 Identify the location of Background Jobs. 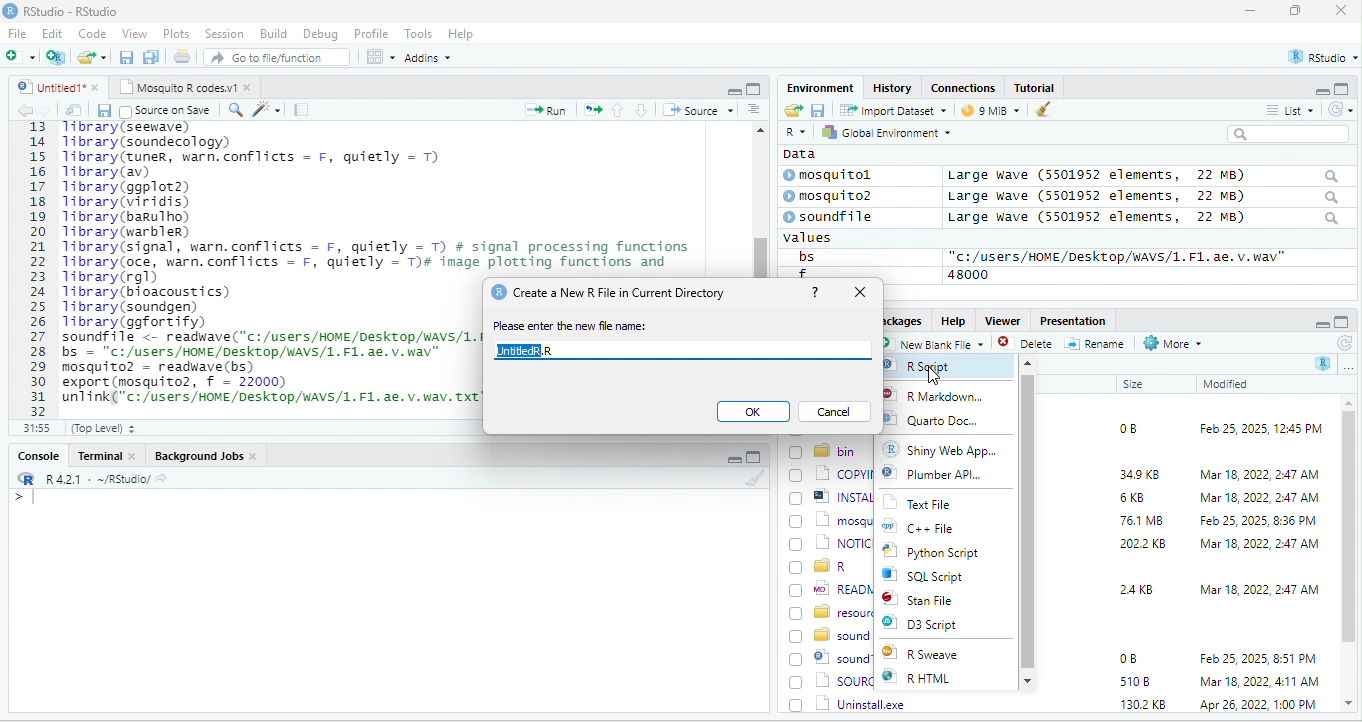
(205, 455).